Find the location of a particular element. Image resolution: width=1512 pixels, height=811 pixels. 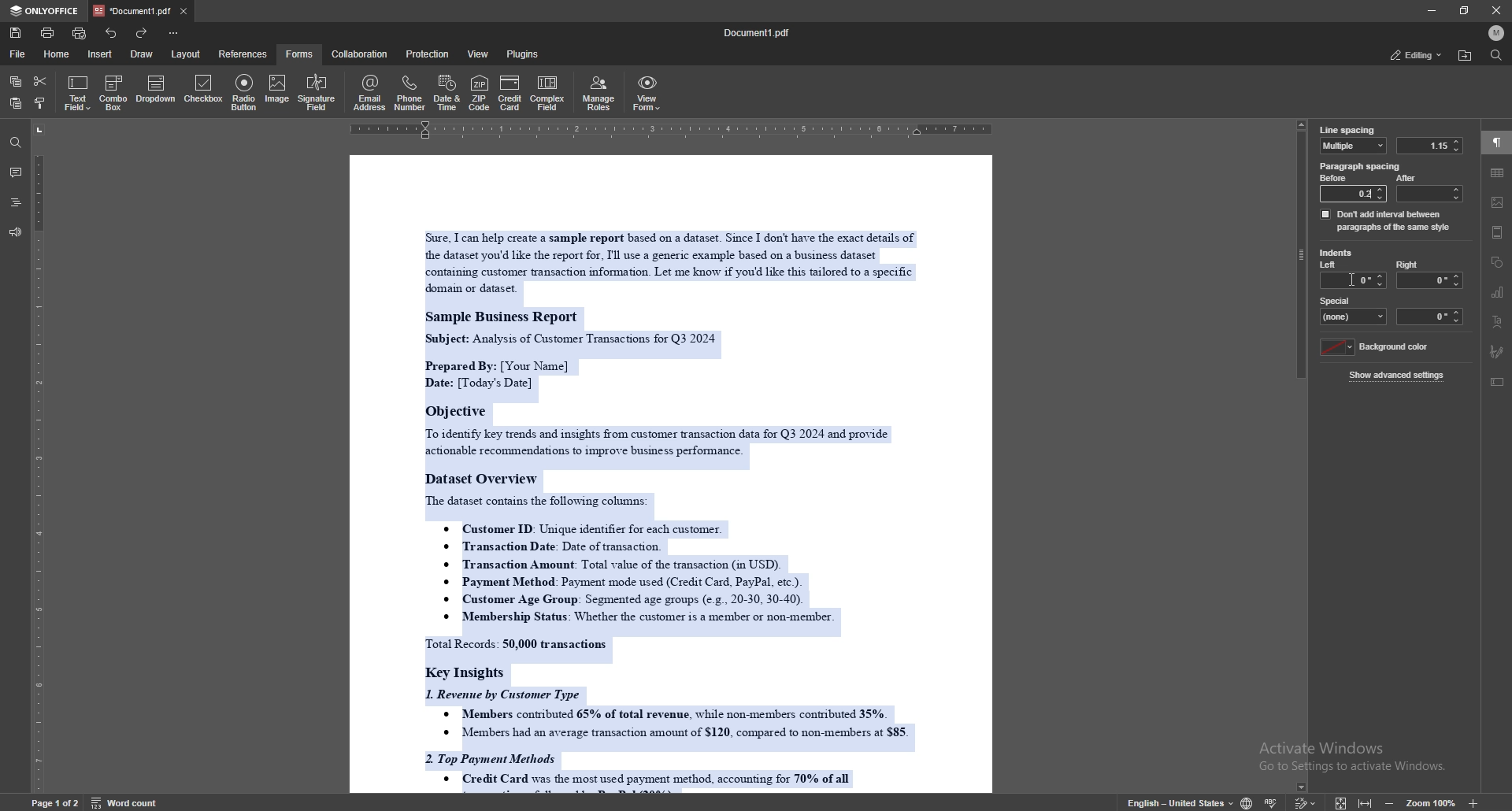

radio button is located at coordinates (246, 92).